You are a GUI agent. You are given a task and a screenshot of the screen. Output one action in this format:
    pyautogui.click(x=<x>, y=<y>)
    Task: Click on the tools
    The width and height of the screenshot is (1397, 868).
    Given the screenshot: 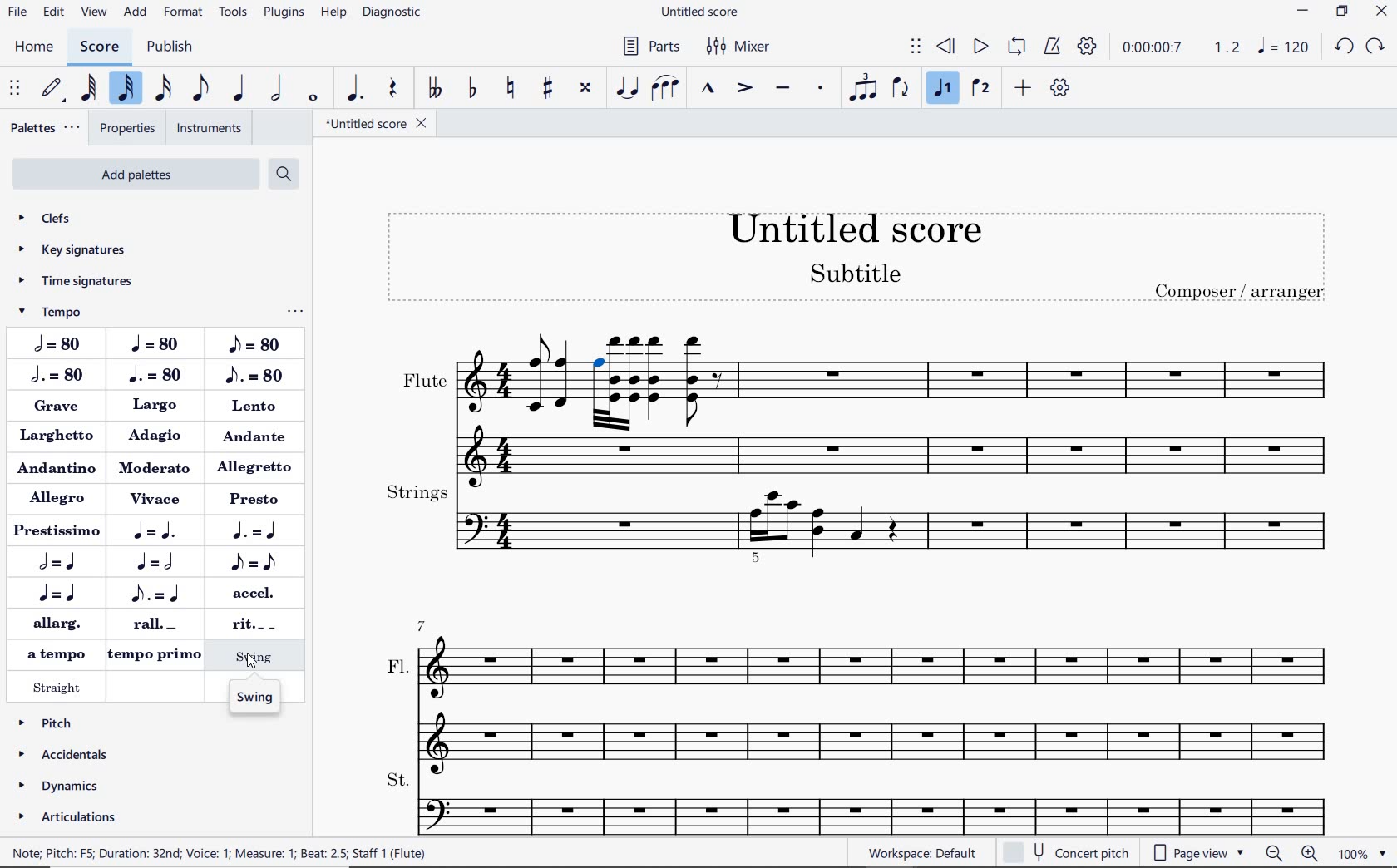 What is the action you would take?
    pyautogui.click(x=235, y=14)
    